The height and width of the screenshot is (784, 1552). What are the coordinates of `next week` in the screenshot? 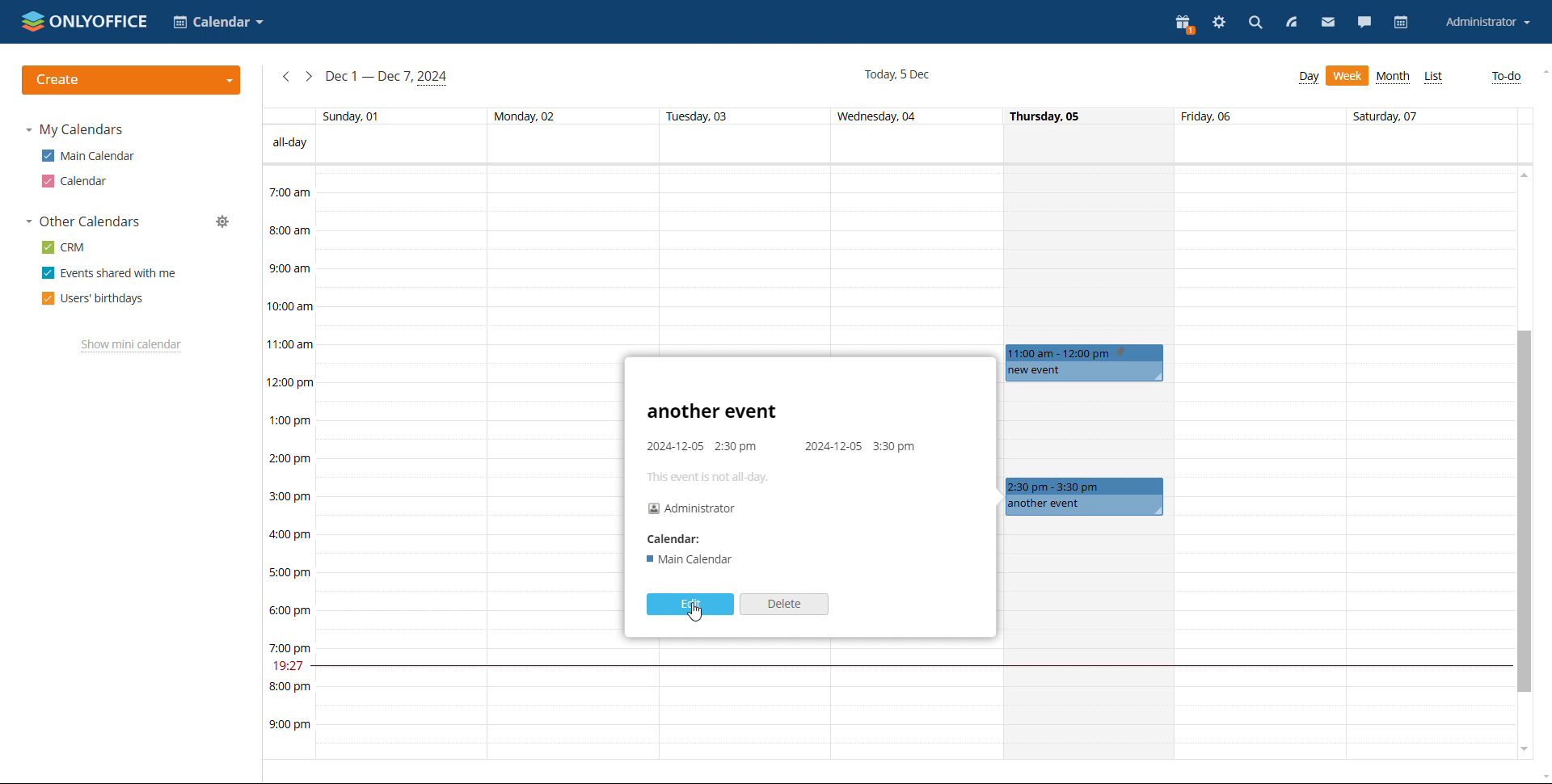 It's located at (308, 76).